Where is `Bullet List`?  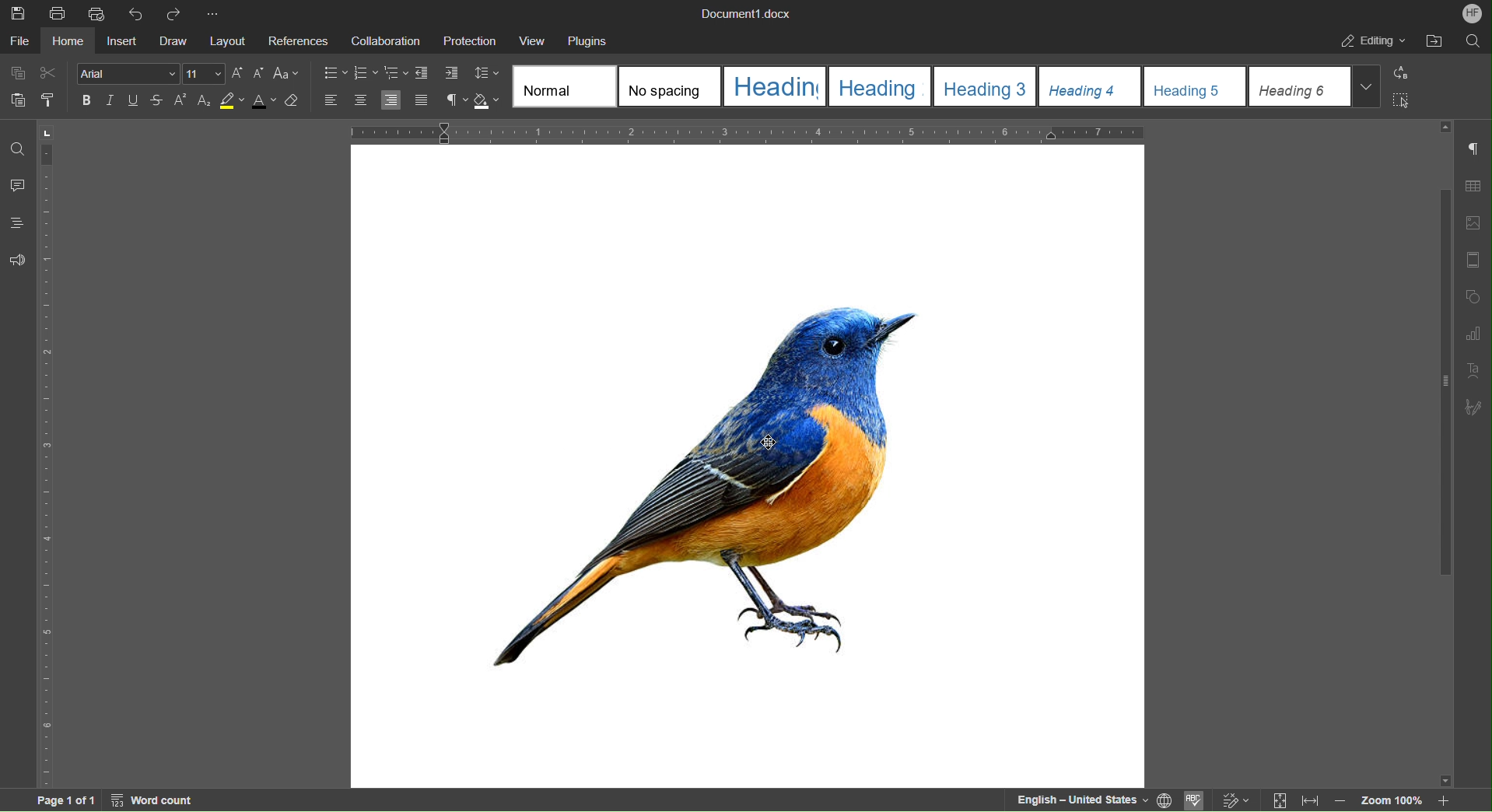 Bullet List is located at coordinates (334, 72).